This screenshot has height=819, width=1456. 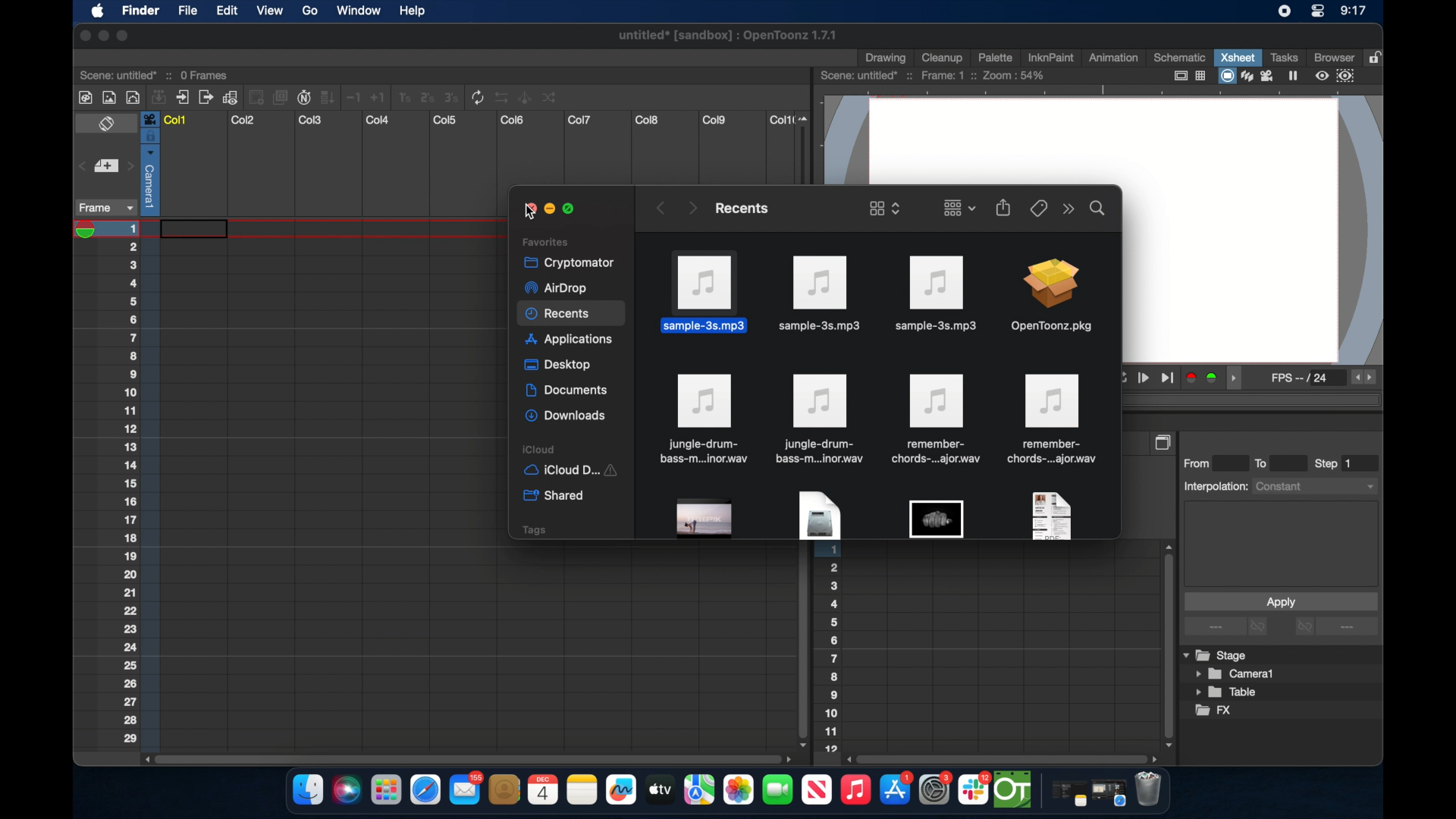 I want to click on siri, so click(x=345, y=790).